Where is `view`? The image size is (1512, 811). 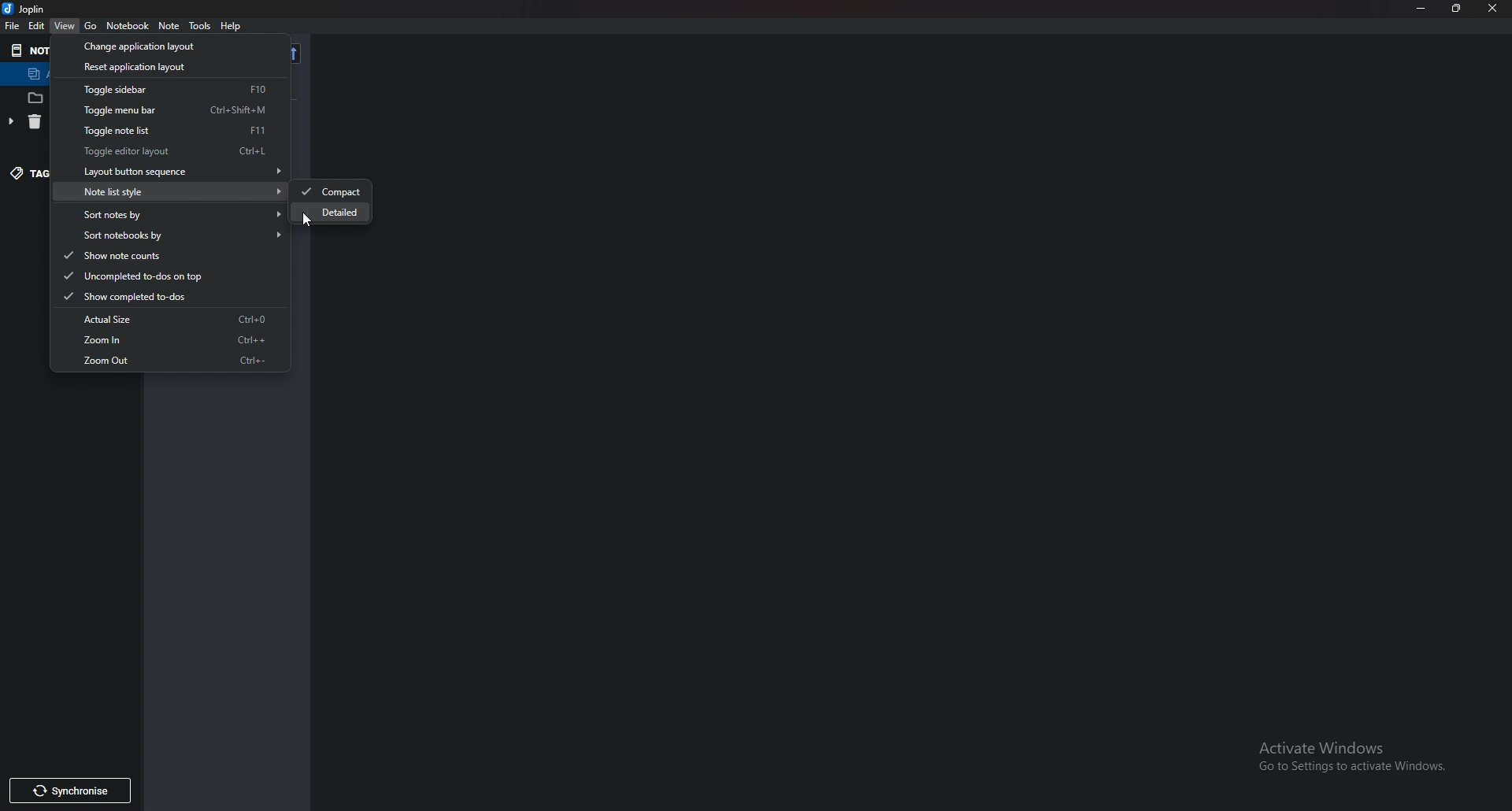
view is located at coordinates (65, 27).